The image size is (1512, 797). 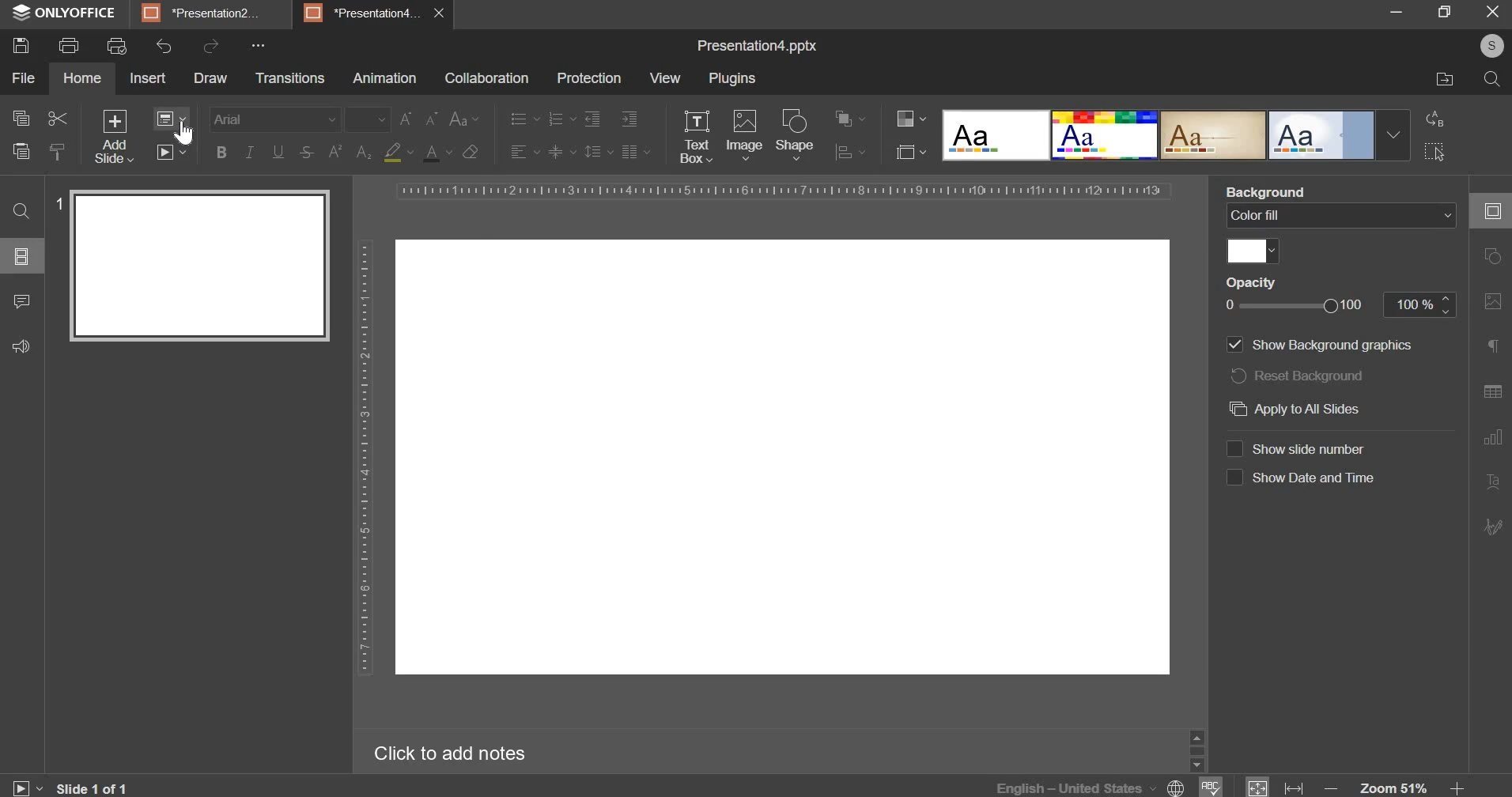 I want to click on find, so click(x=22, y=210).